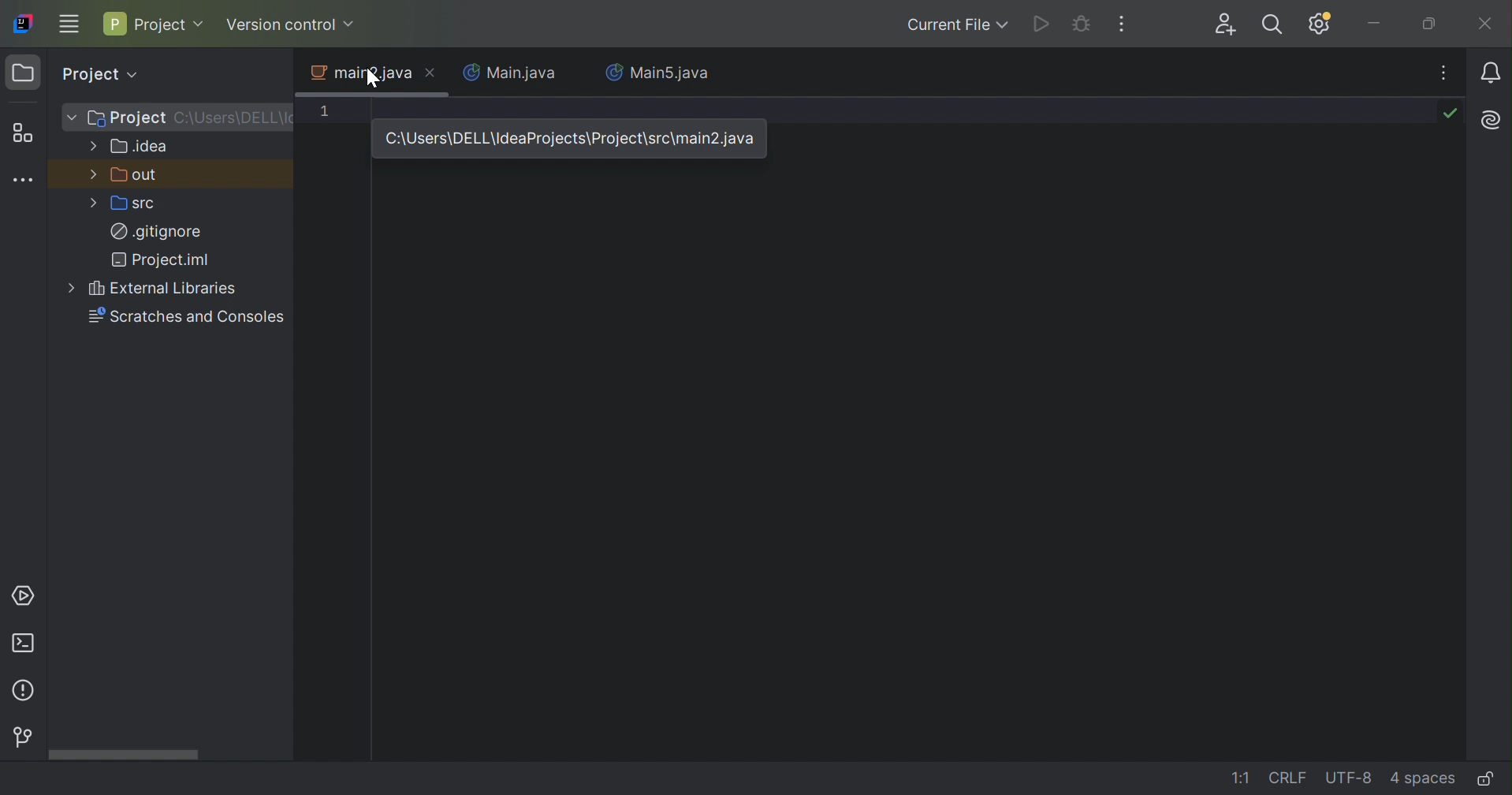 The height and width of the screenshot is (795, 1512). Describe the element at coordinates (1431, 24) in the screenshot. I see `Restore down` at that location.